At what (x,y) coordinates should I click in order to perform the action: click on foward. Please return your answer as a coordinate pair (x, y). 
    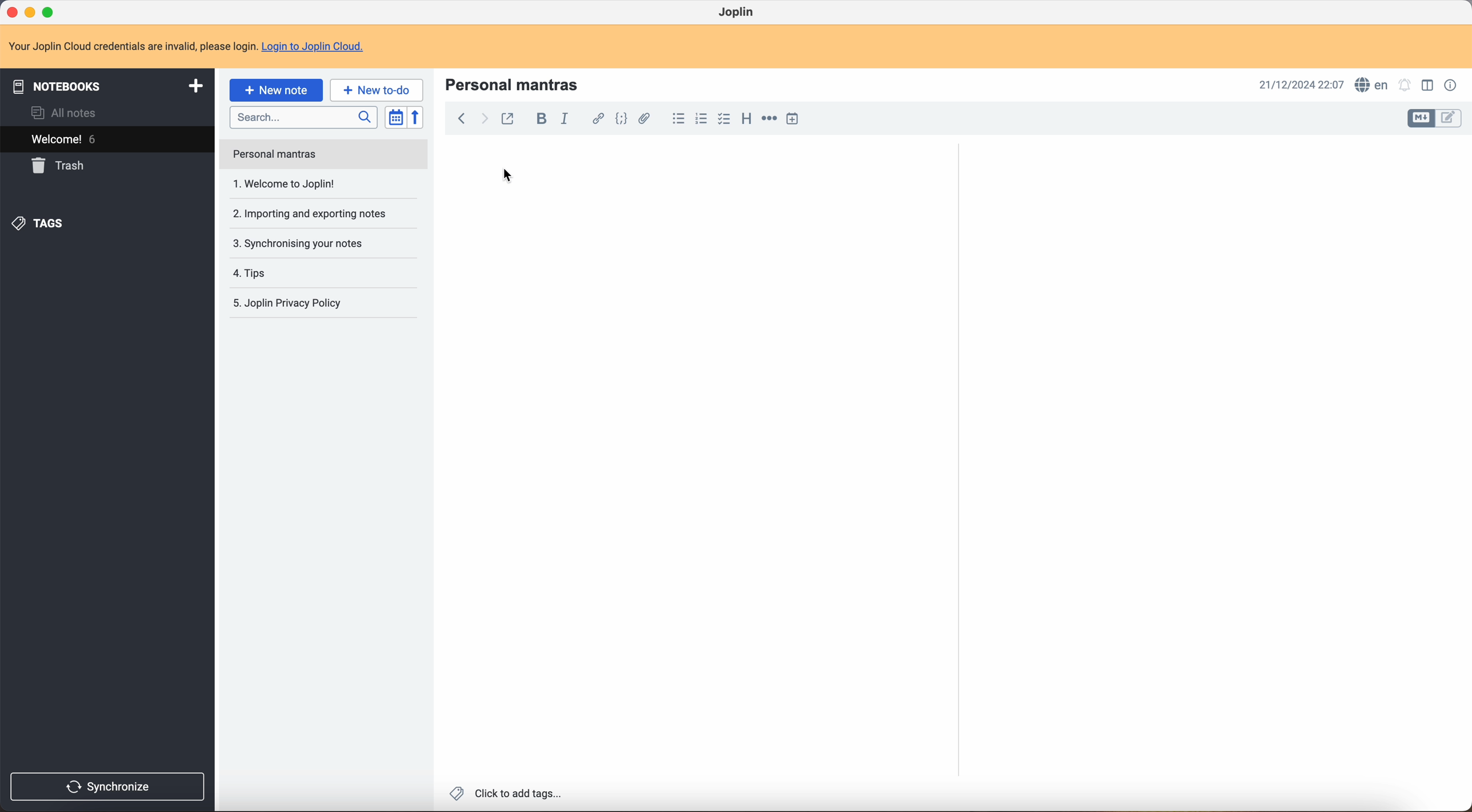
    Looking at the image, I should click on (485, 119).